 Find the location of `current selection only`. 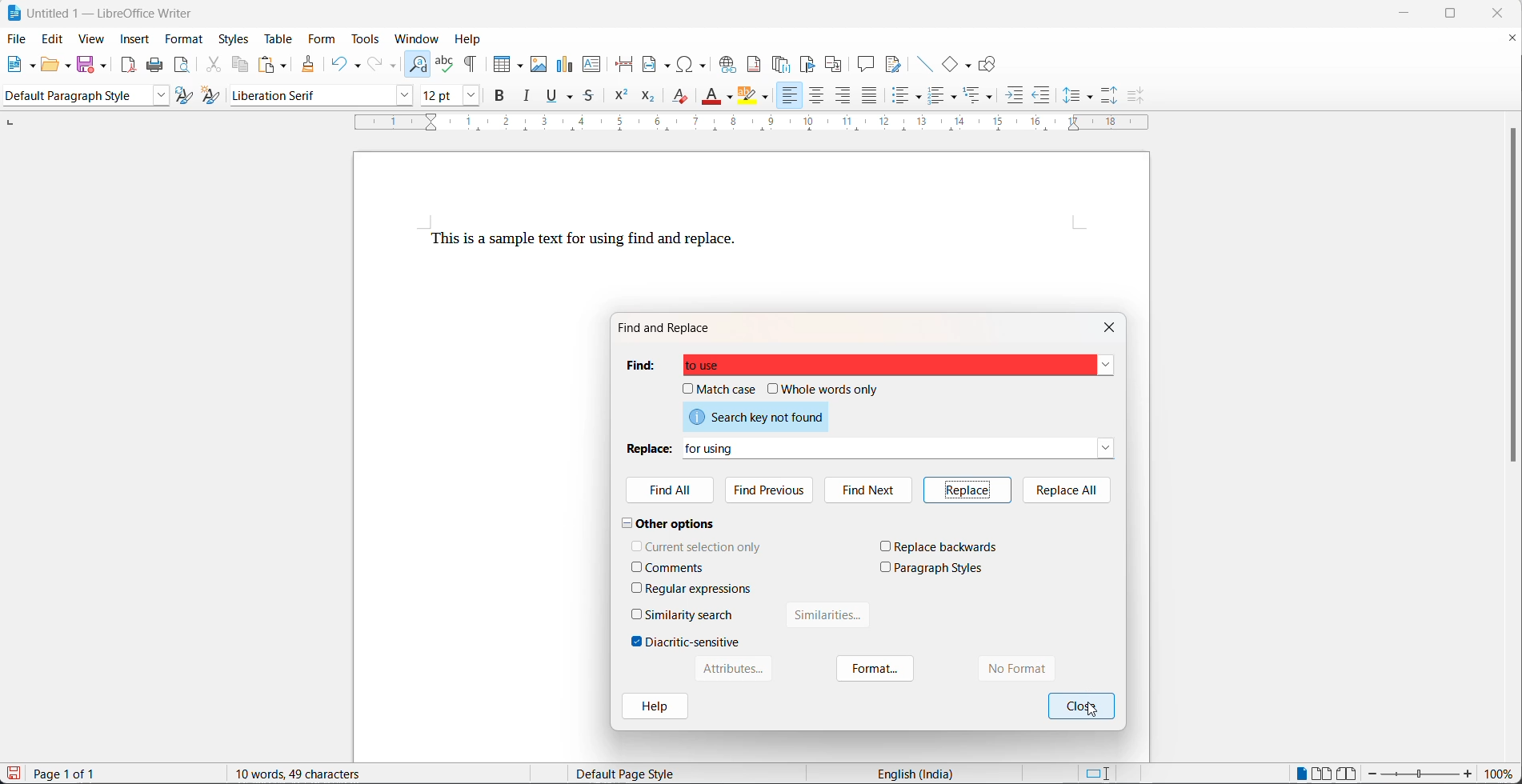

current selection only is located at coordinates (704, 546).